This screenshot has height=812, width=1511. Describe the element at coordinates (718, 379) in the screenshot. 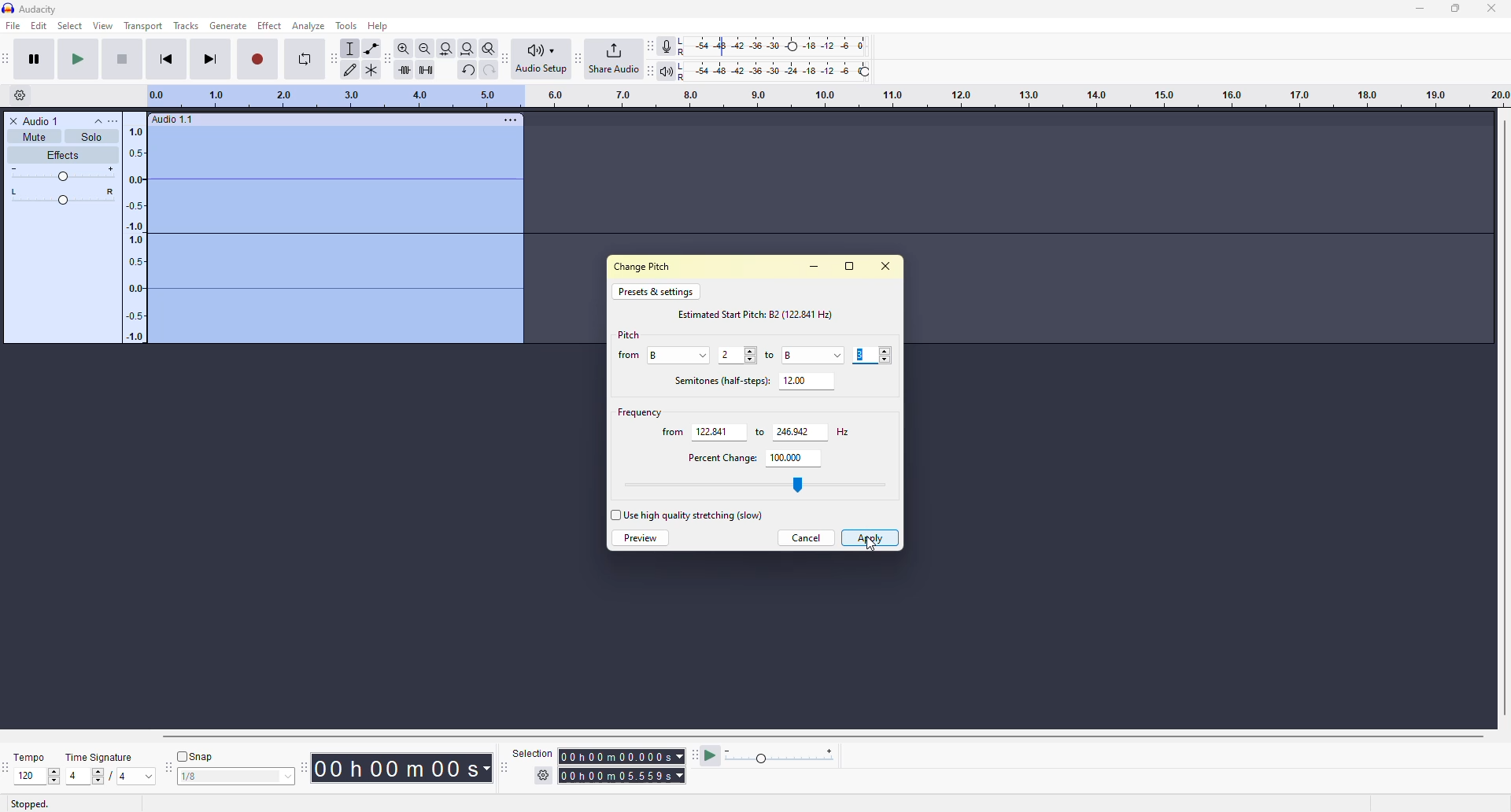

I see `semitones` at that location.